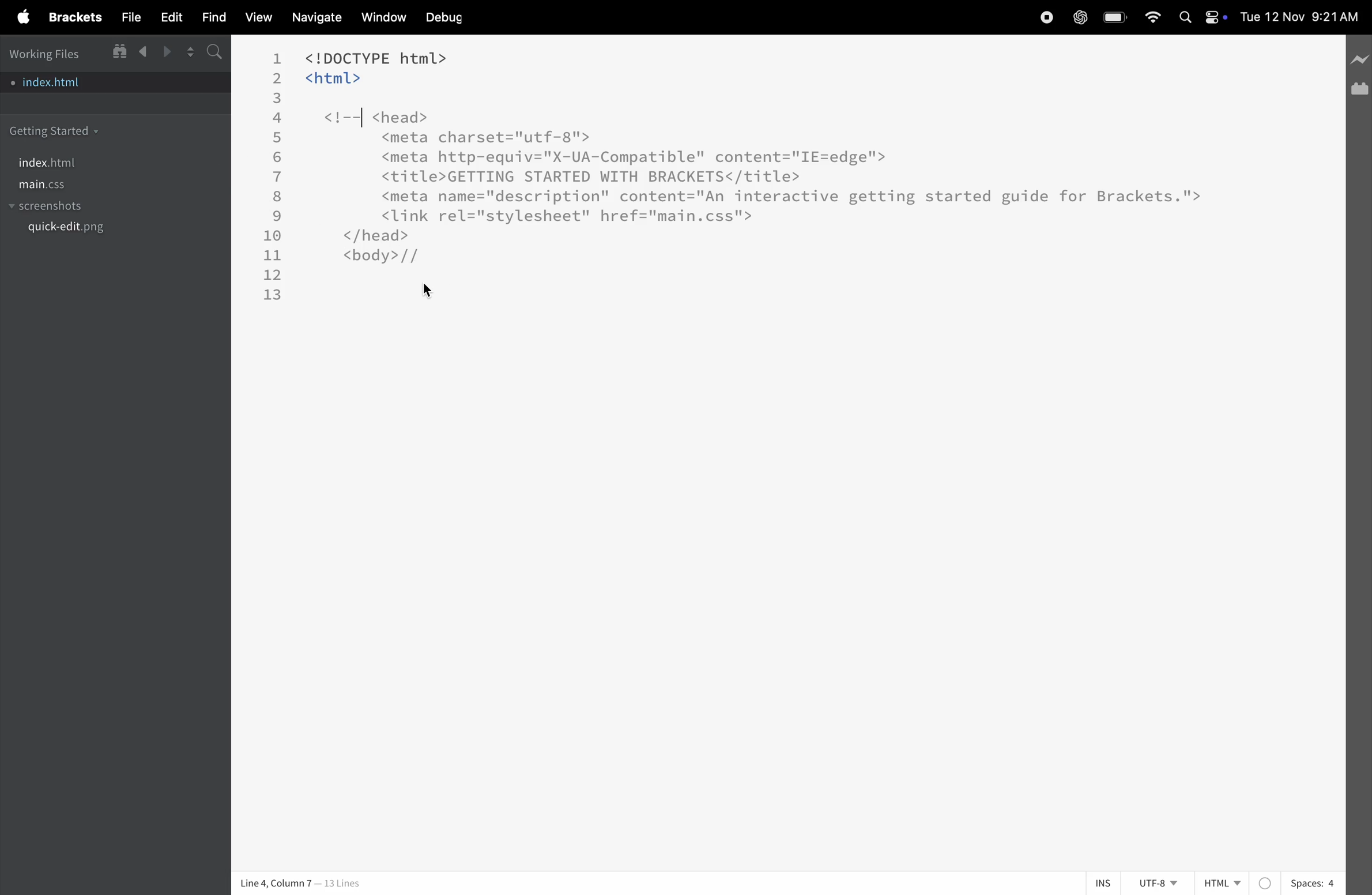 The image size is (1372, 895). I want to click on find, so click(209, 17).